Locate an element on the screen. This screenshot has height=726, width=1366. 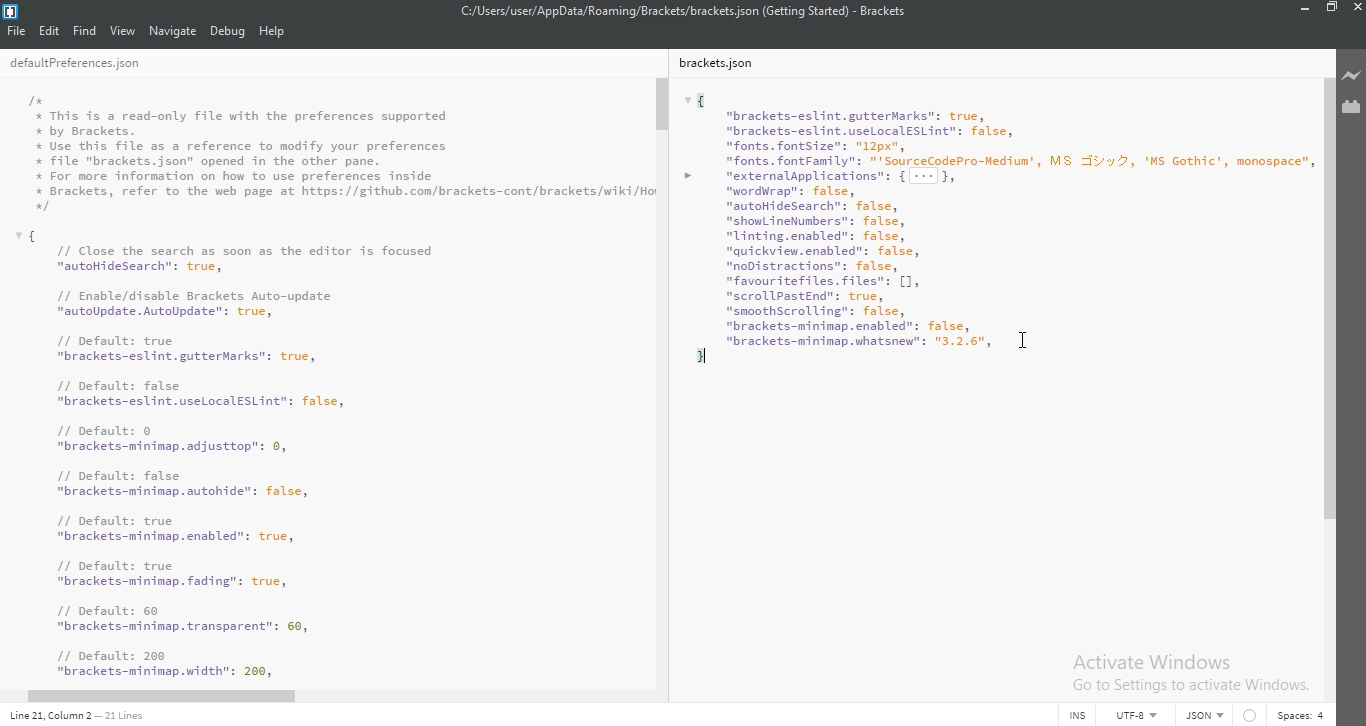
View  is located at coordinates (123, 30).